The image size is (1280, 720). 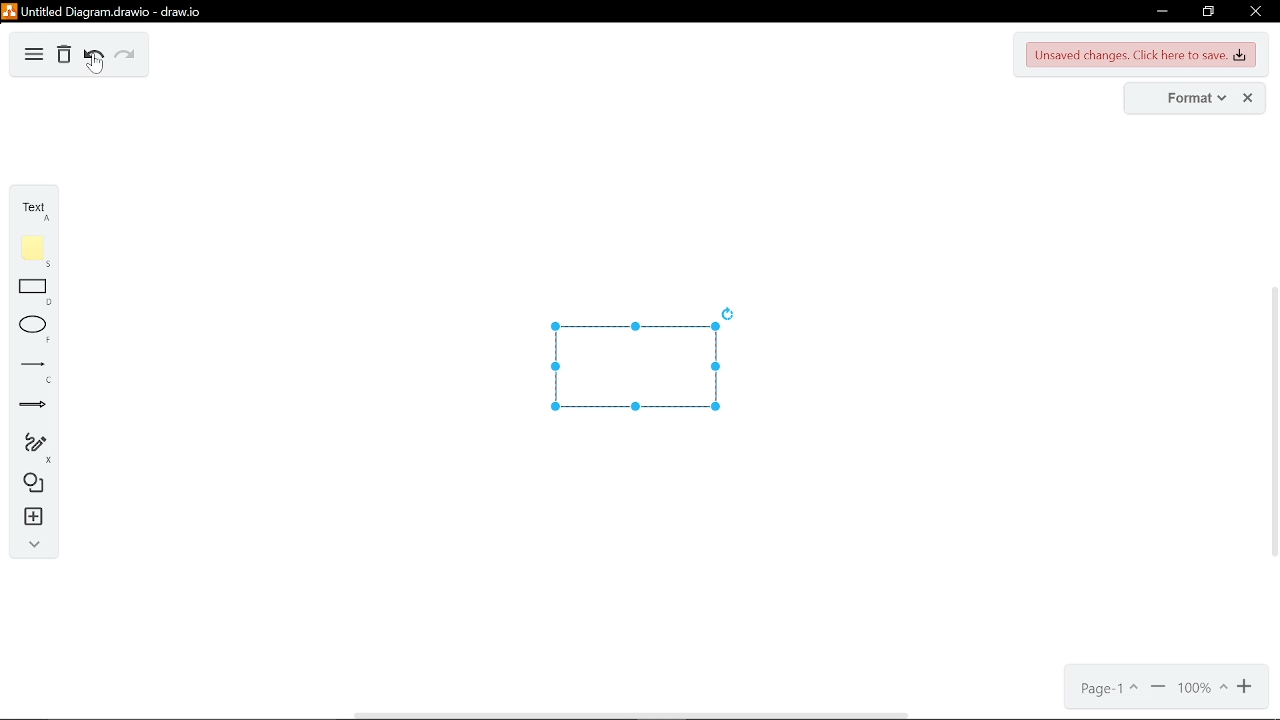 What do you see at coordinates (1189, 98) in the screenshot?
I see `format` at bounding box center [1189, 98].